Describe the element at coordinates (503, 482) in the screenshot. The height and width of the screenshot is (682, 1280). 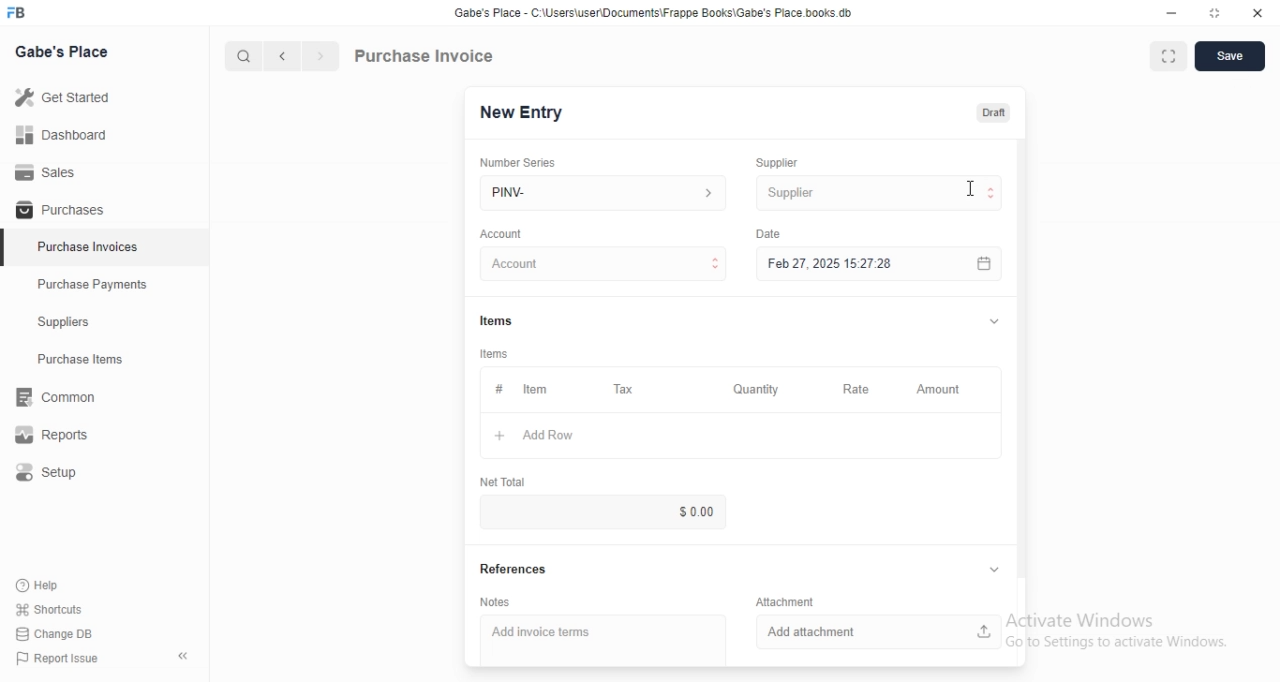
I see `Net Total` at that location.